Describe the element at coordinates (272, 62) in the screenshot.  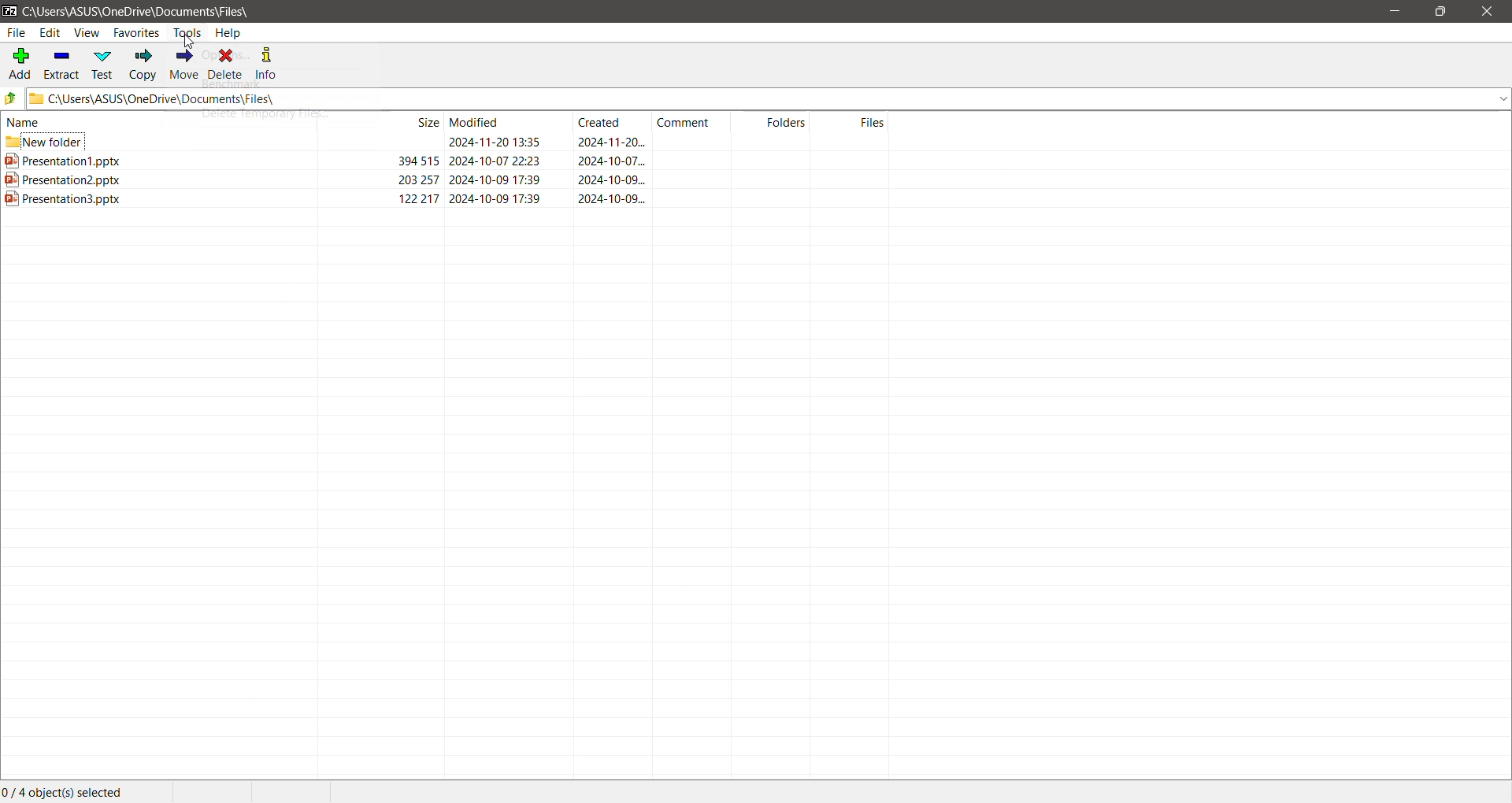
I see `Info` at that location.